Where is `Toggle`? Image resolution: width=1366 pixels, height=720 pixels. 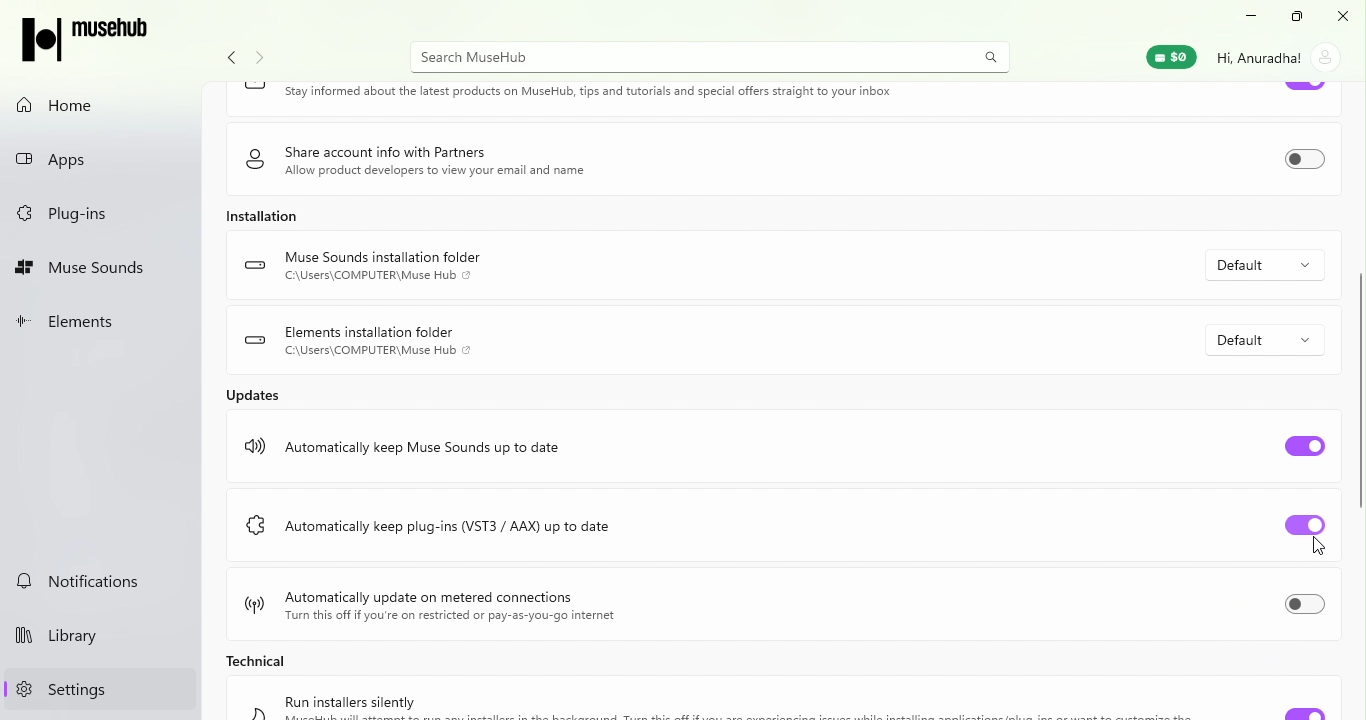 Toggle is located at coordinates (1302, 712).